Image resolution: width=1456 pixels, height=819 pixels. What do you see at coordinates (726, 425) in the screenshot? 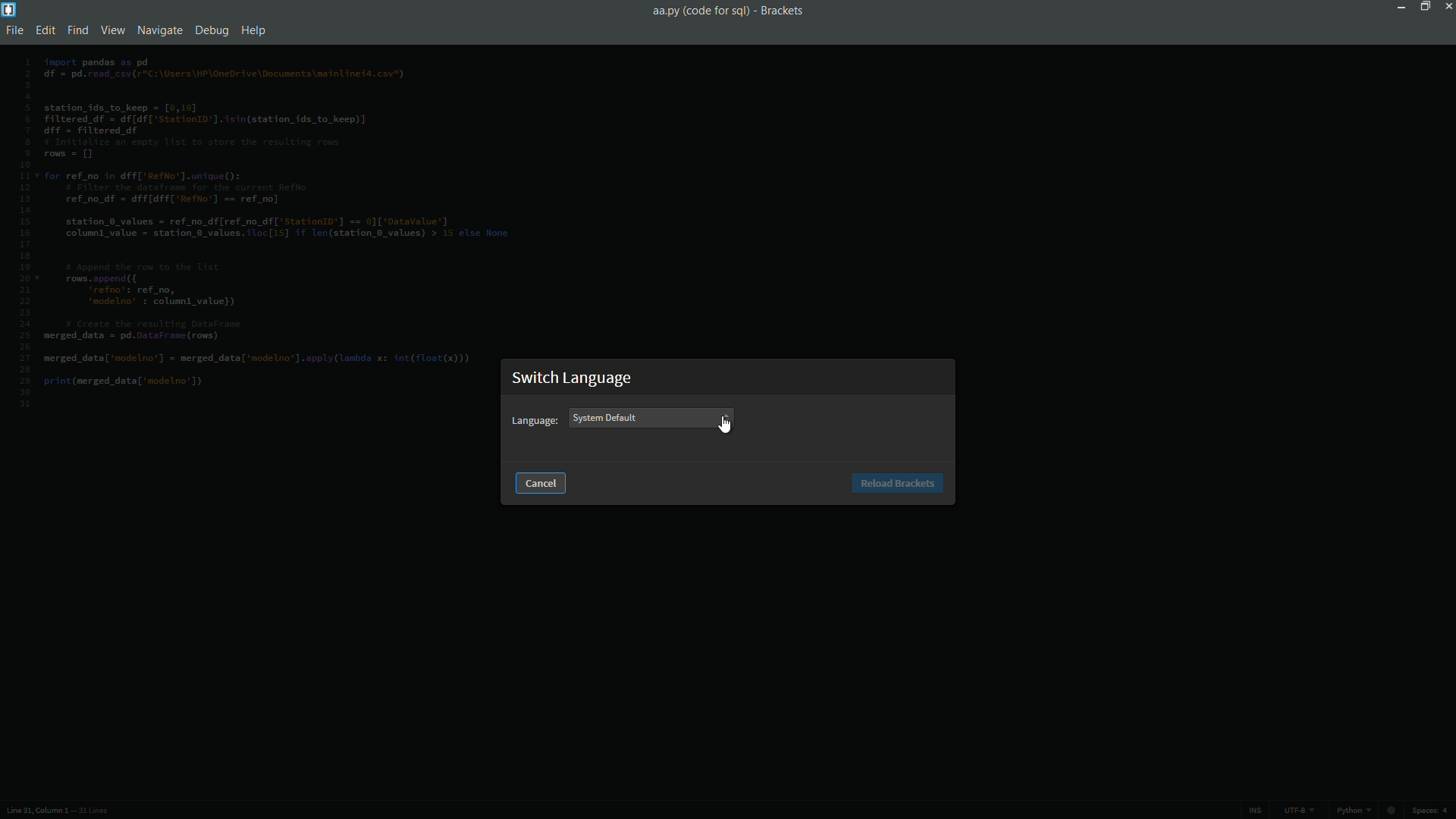
I see `cursor` at bounding box center [726, 425].